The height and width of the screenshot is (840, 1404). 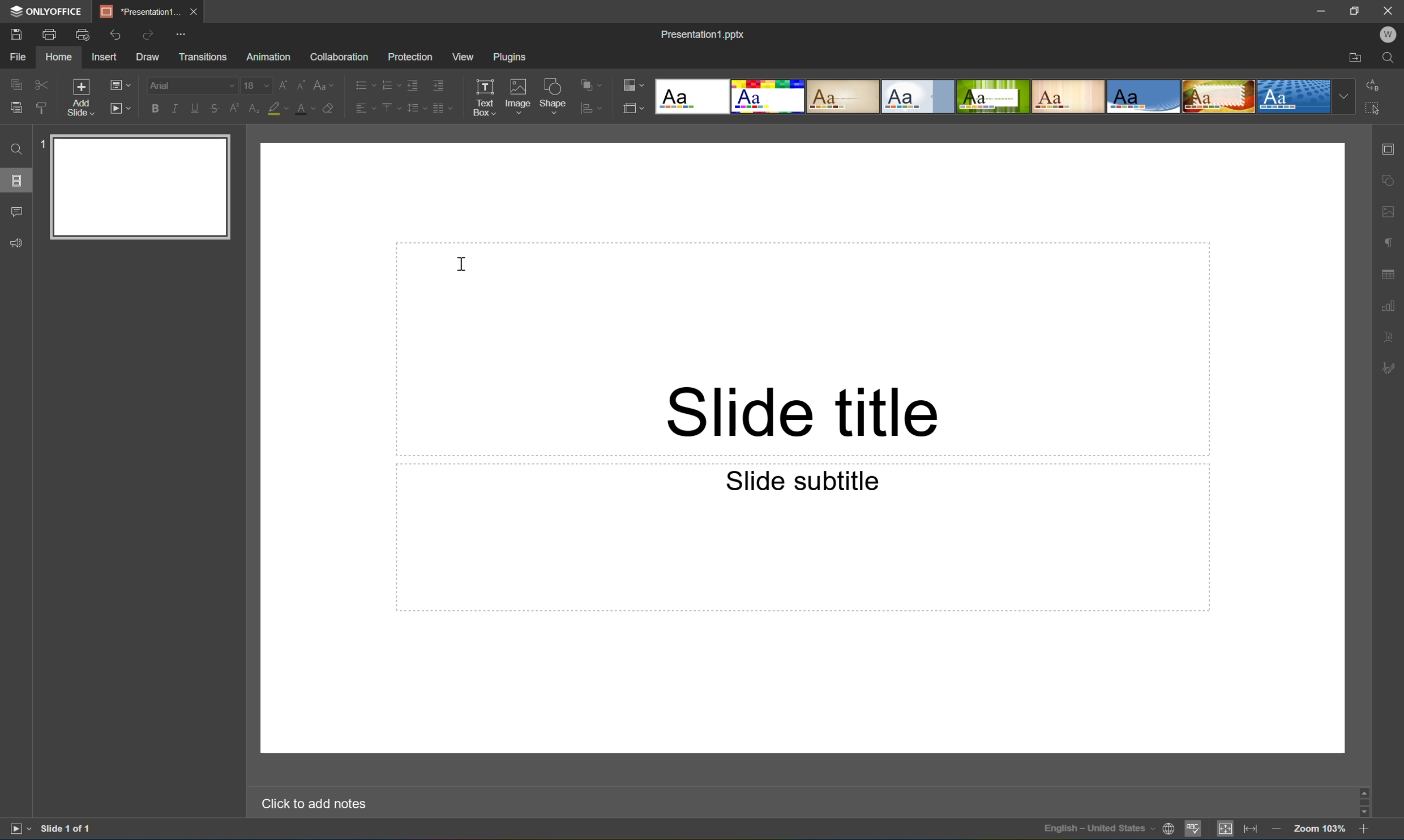 What do you see at coordinates (1389, 275) in the screenshot?
I see `Table settings` at bounding box center [1389, 275].